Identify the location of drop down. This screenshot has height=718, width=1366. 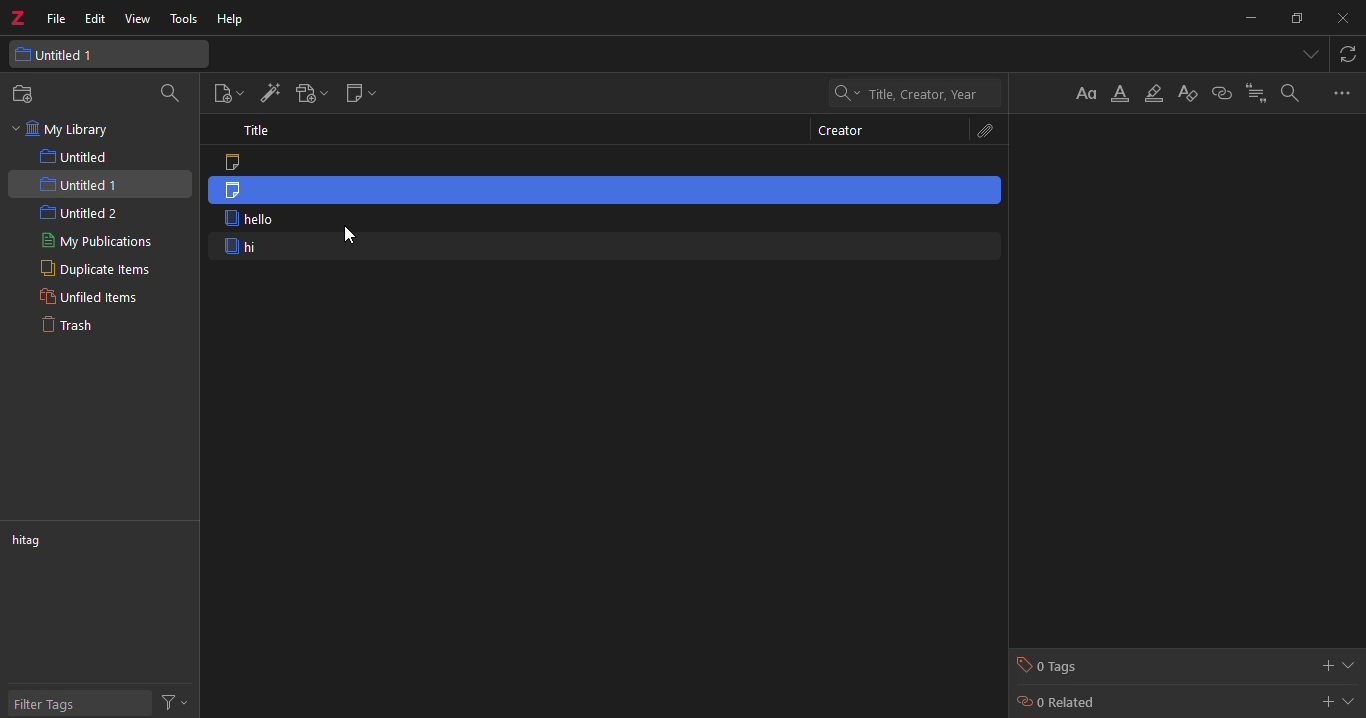
(840, 93).